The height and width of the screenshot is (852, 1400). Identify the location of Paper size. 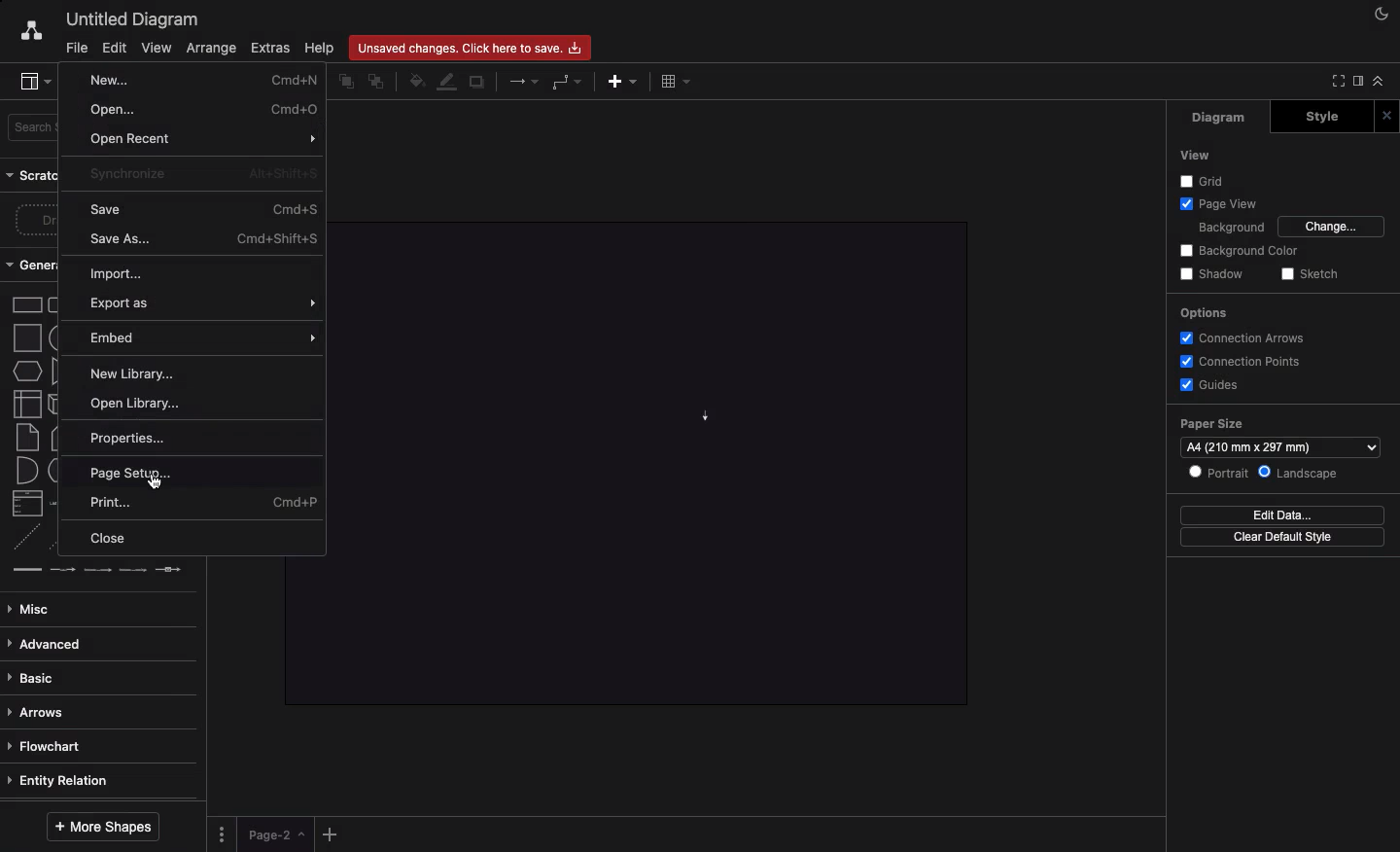
(1281, 422).